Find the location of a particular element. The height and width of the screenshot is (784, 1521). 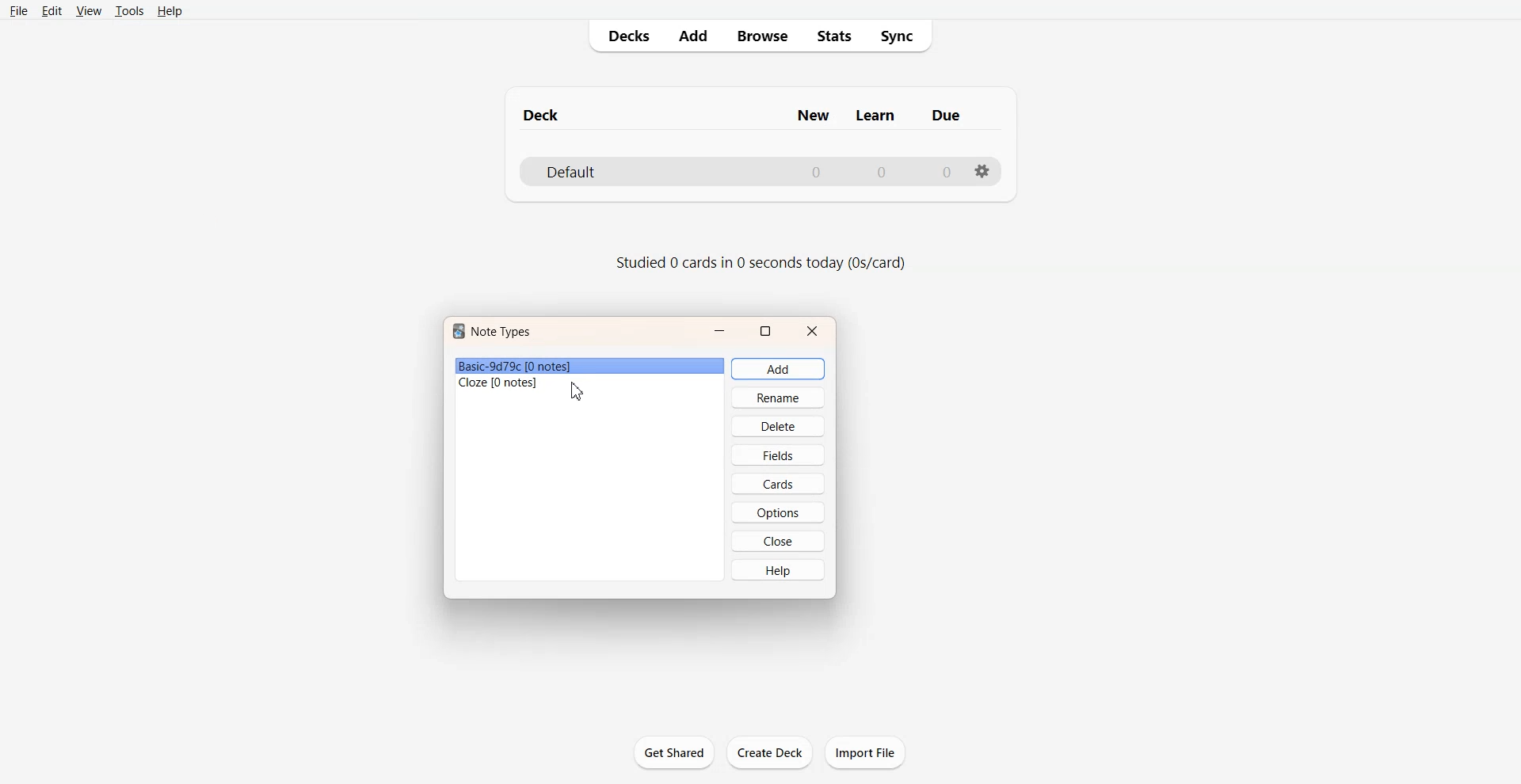

cursor is located at coordinates (583, 395).